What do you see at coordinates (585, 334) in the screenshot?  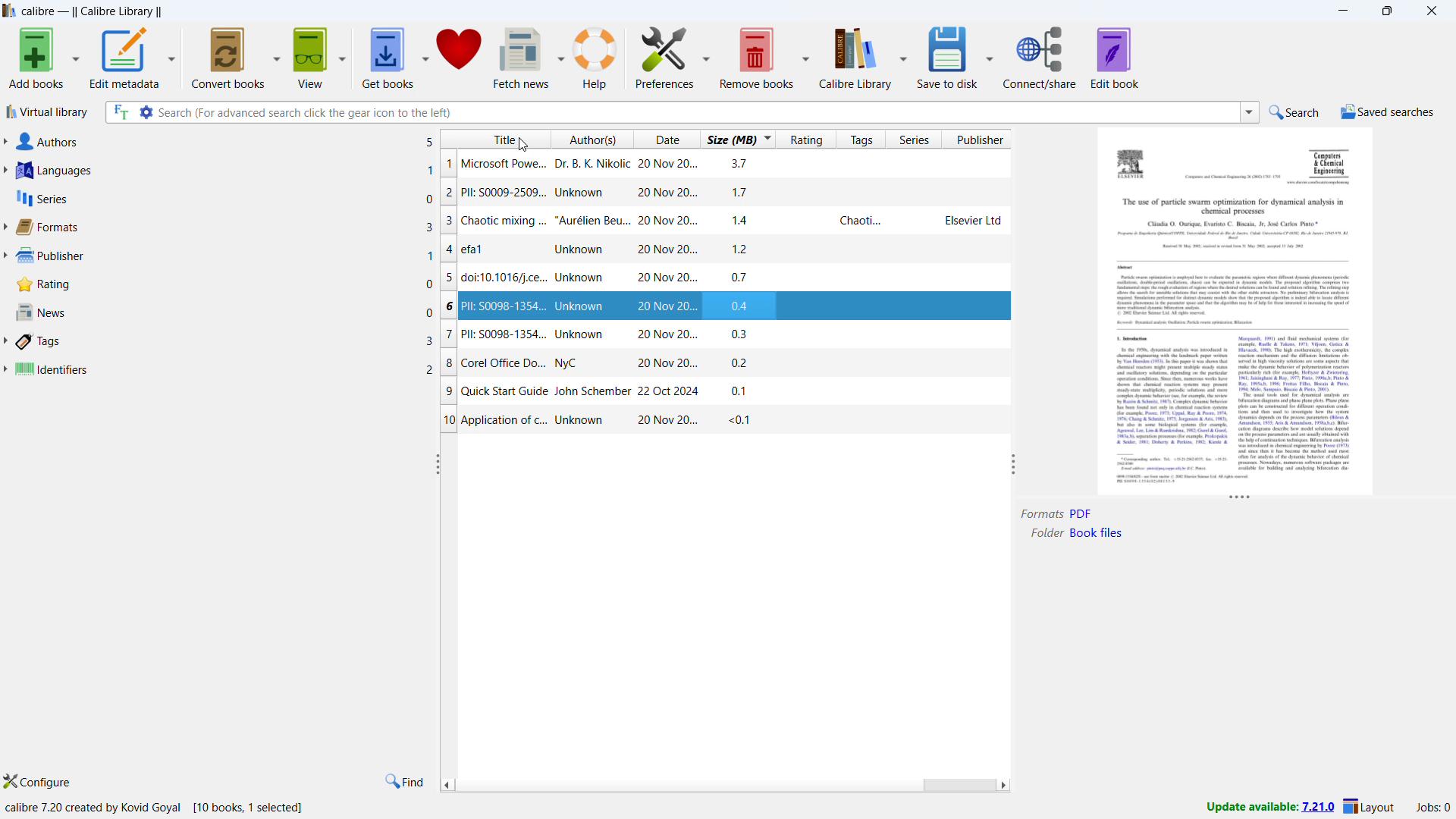 I see `Pll: S0098-1354... Unknown 20 Nov 20...` at bounding box center [585, 334].